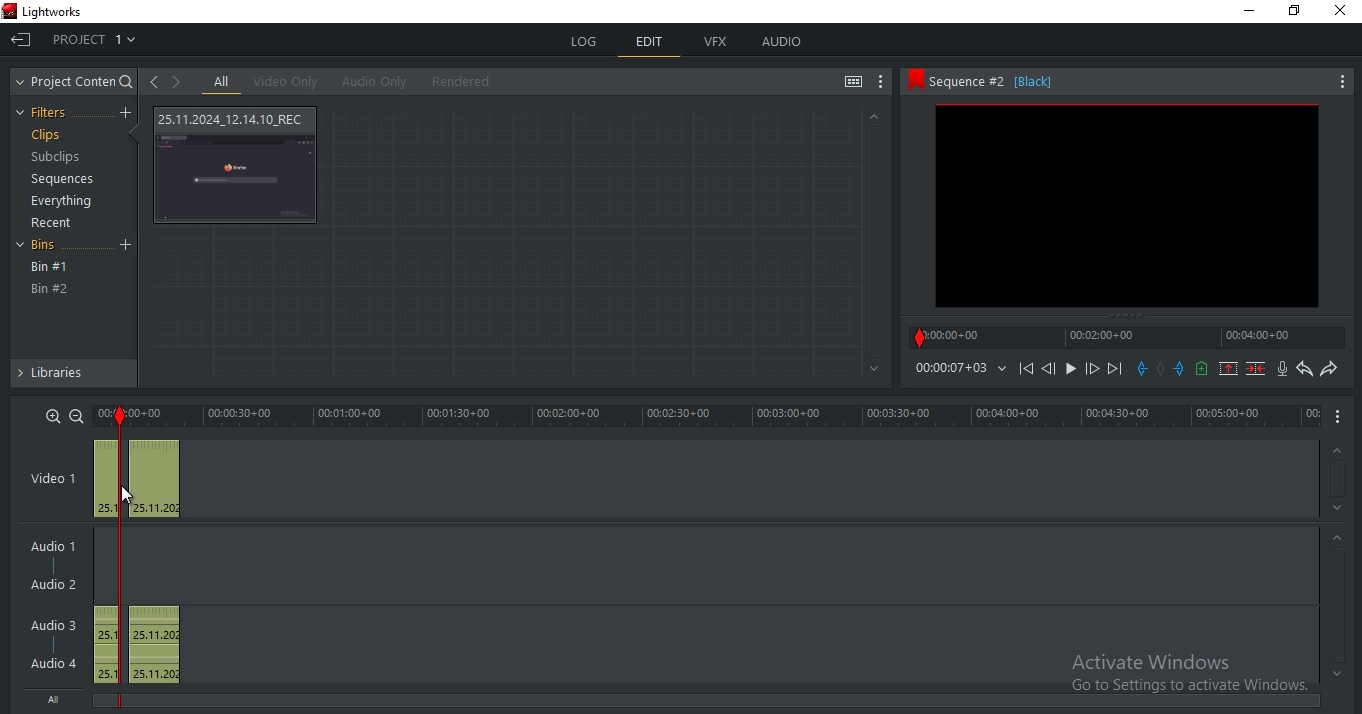 This screenshot has height=714, width=1362. What do you see at coordinates (57, 181) in the screenshot?
I see `sequences` at bounding box center [57, 181].